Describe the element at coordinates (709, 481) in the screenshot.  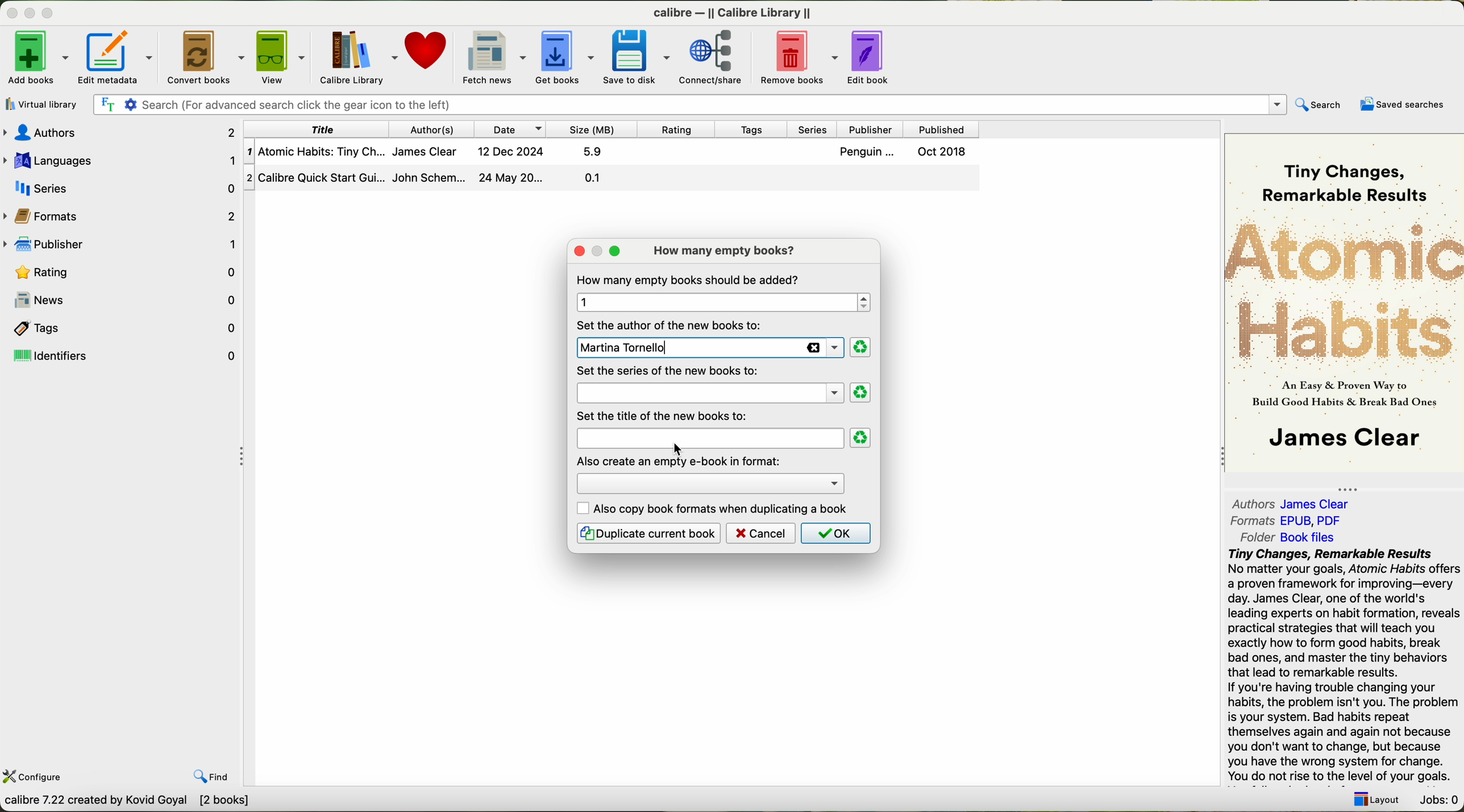
I see `options` at that location.